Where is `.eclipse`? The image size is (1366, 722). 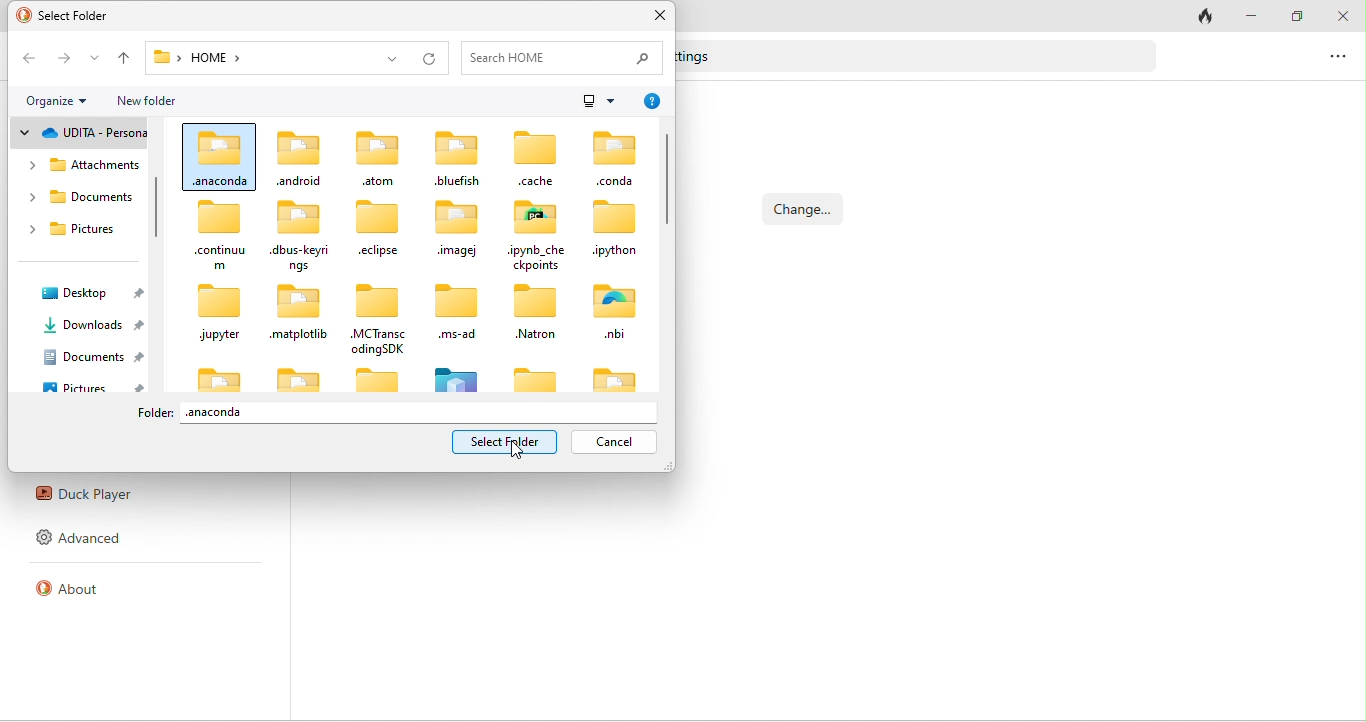 .eclipse is located at coordinates (385, 228).